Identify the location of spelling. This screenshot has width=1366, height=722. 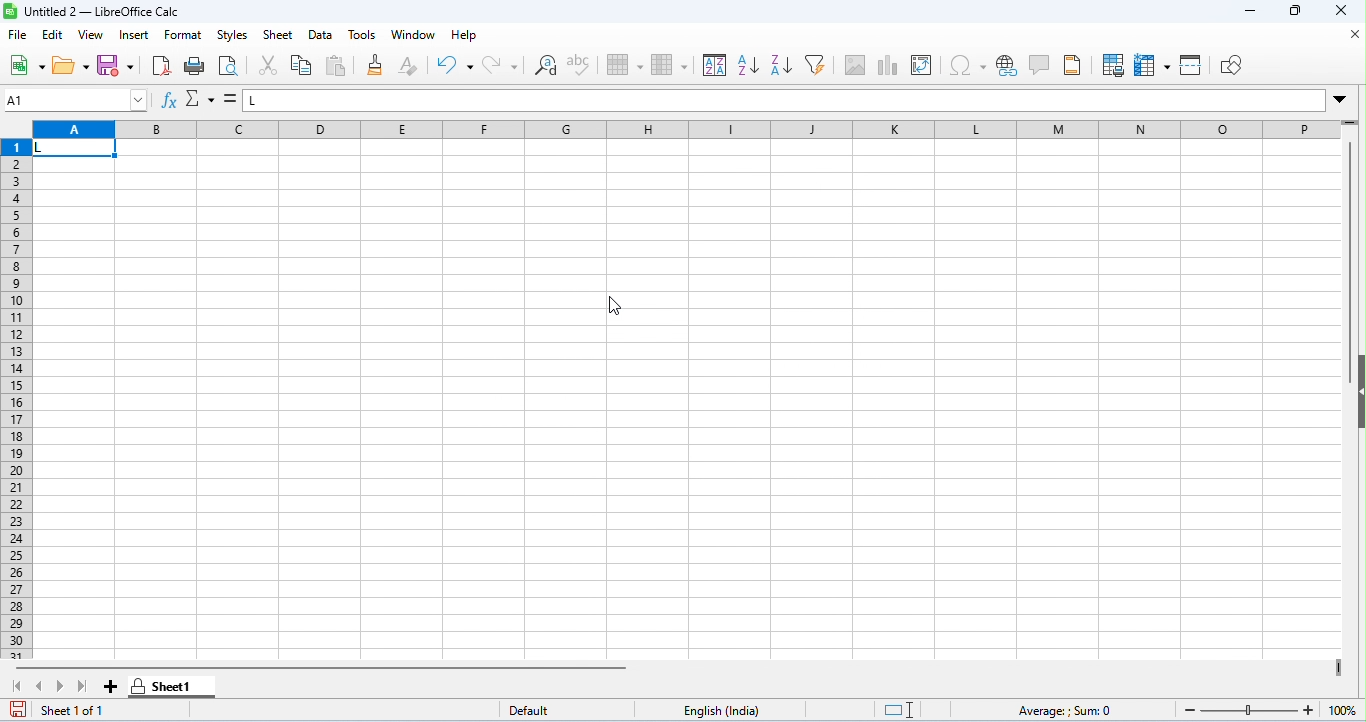
(579, 64).